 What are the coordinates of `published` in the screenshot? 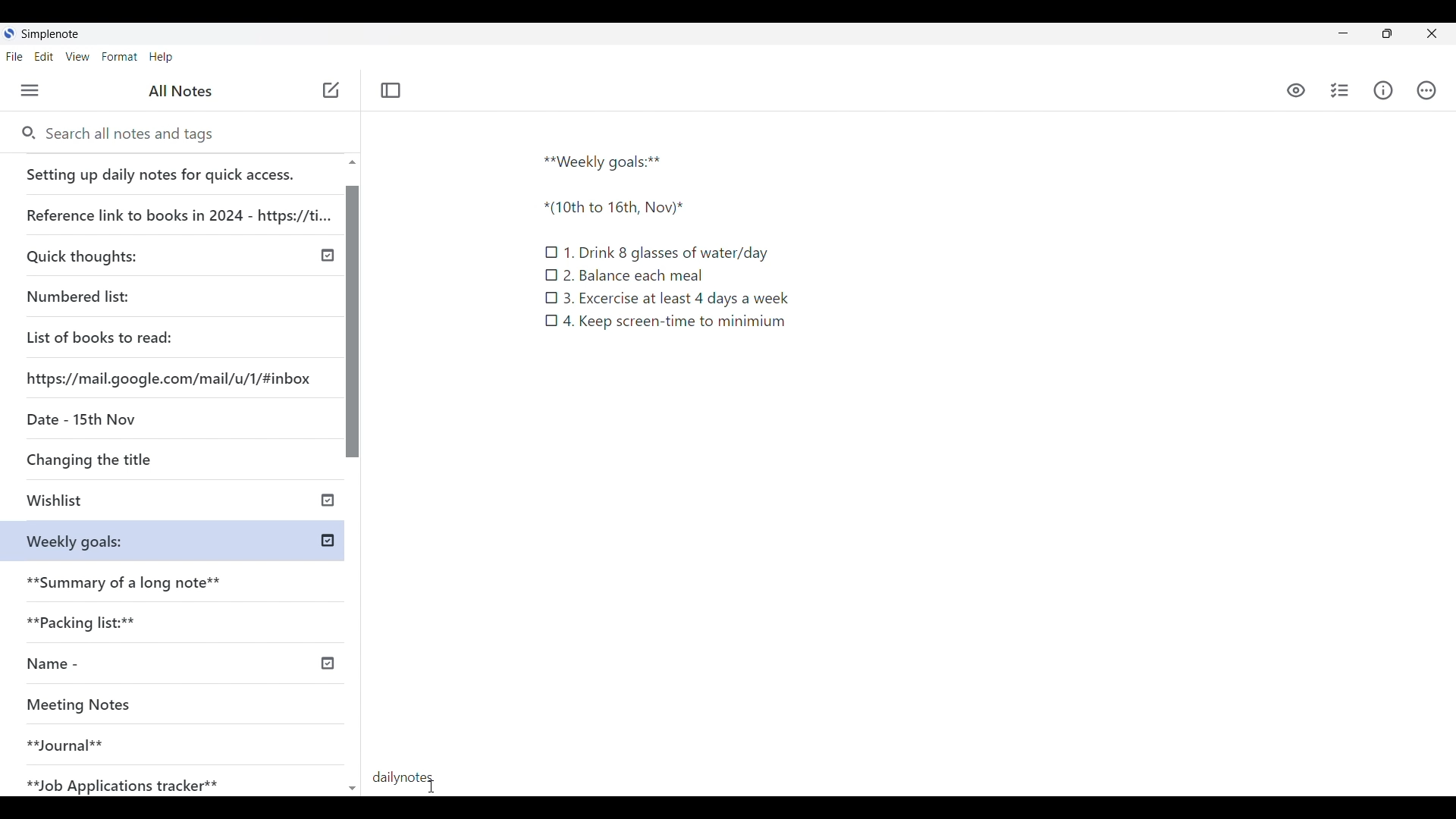 It's located at (326, 664).